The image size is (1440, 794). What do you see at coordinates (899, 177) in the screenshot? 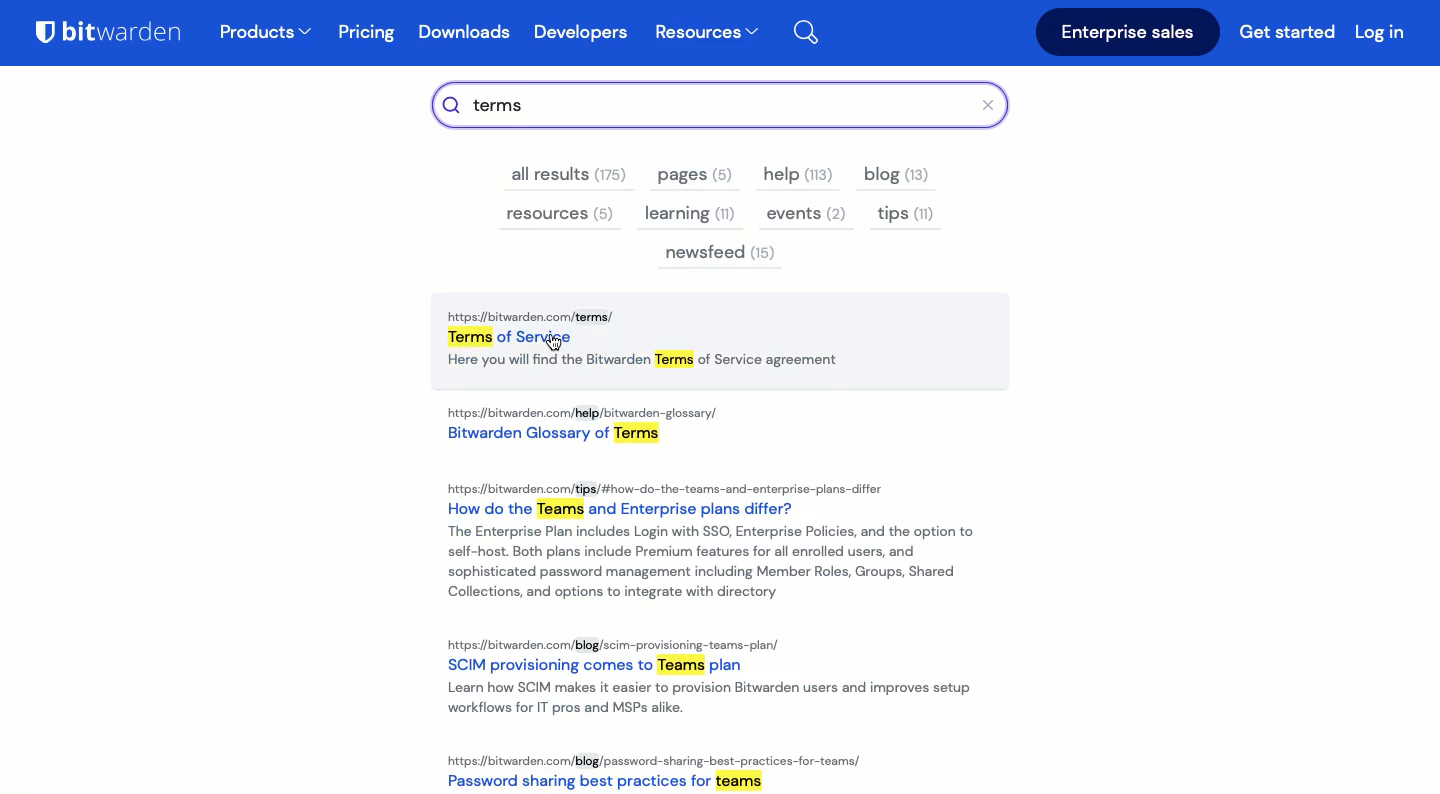
I see `blog` at bounding box center [899, 177].